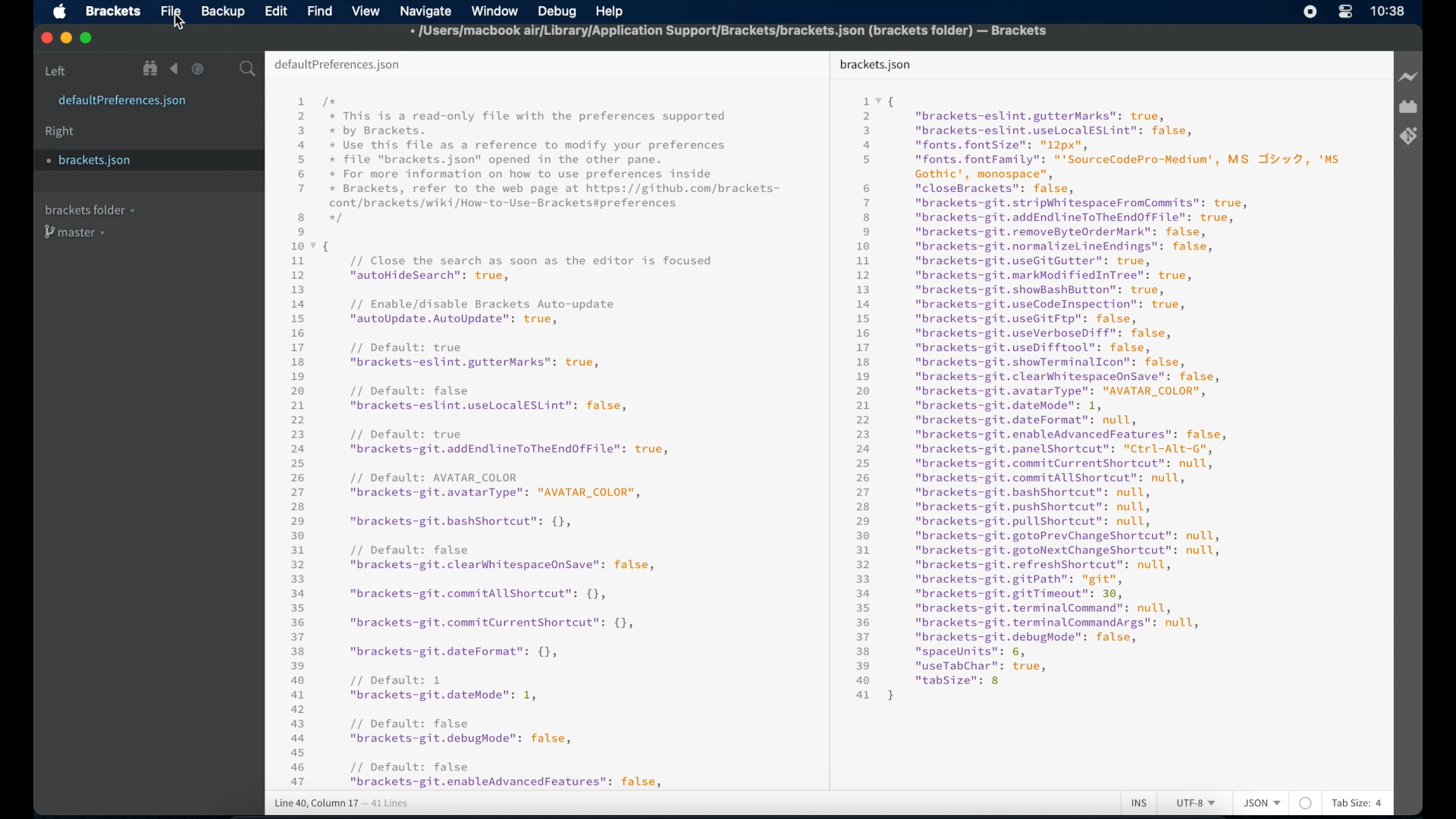 Image resolution: width=1456 pixels, height=819 pixels. I want to click on find, so click(320, 11).